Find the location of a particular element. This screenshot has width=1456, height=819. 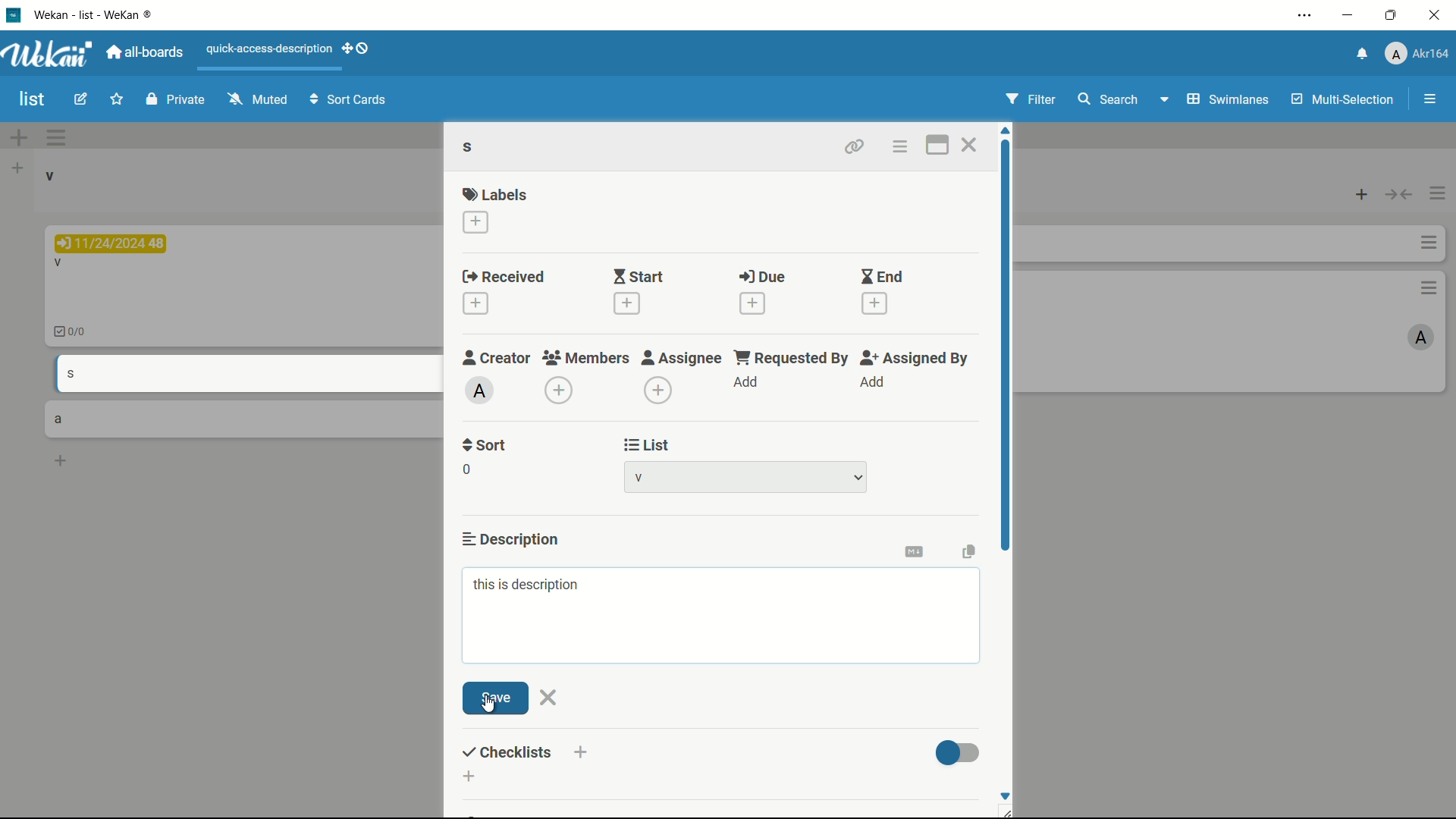

search is located at coordinates (1109, 99).